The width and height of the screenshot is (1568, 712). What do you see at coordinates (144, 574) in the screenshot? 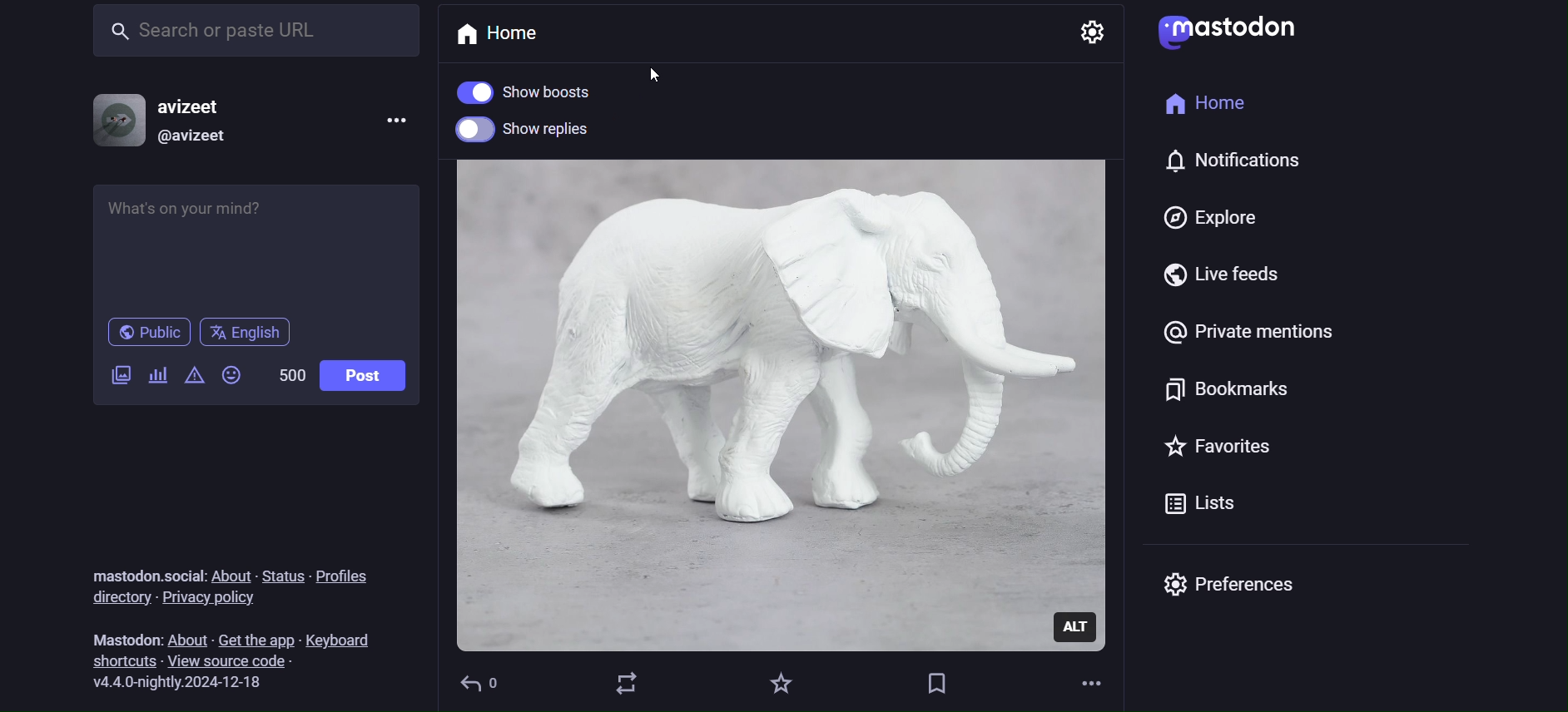
I see `text` at bounding box center [144, 574].